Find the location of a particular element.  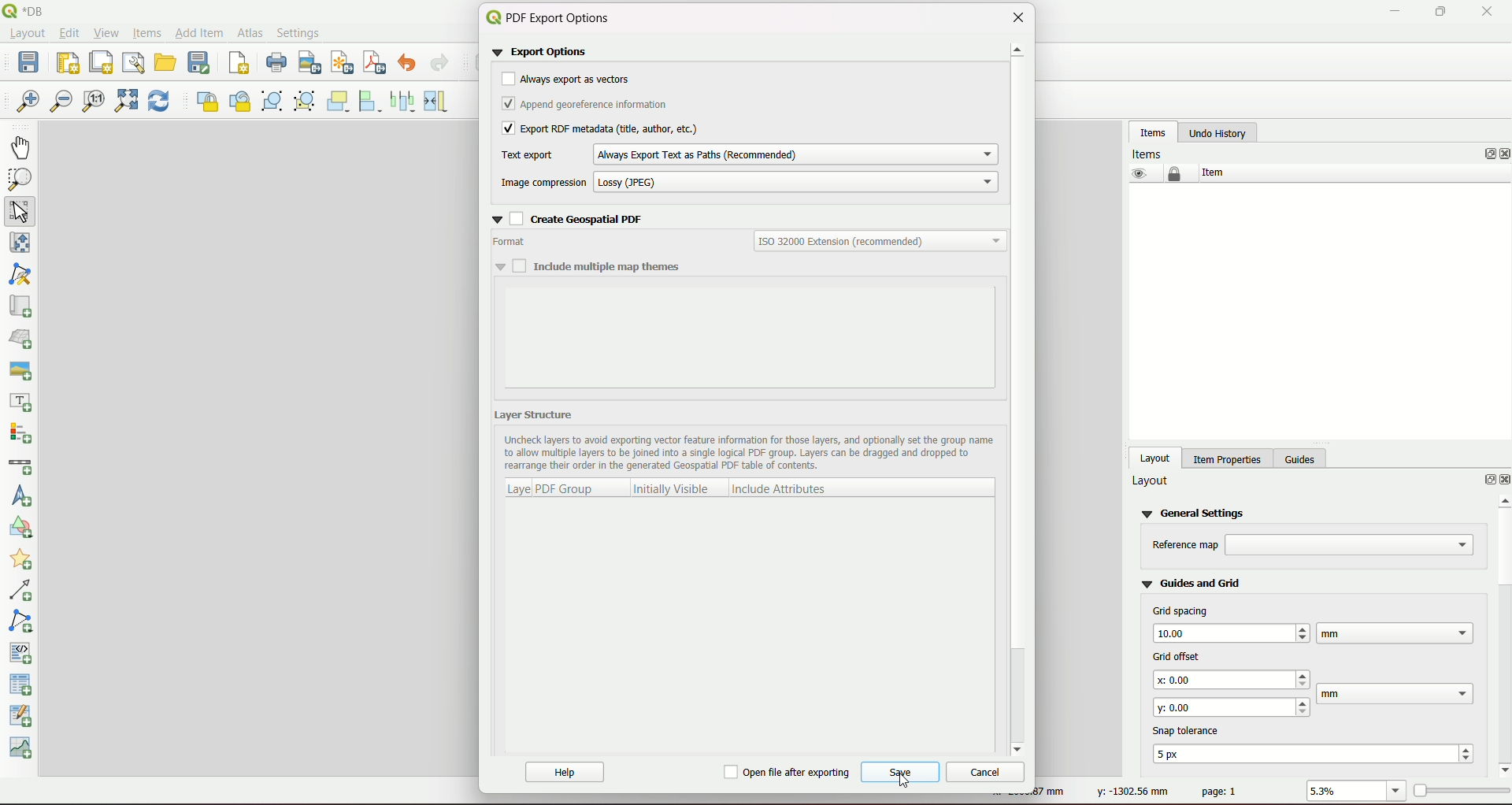

lock is located at coordinates (1175, 174).